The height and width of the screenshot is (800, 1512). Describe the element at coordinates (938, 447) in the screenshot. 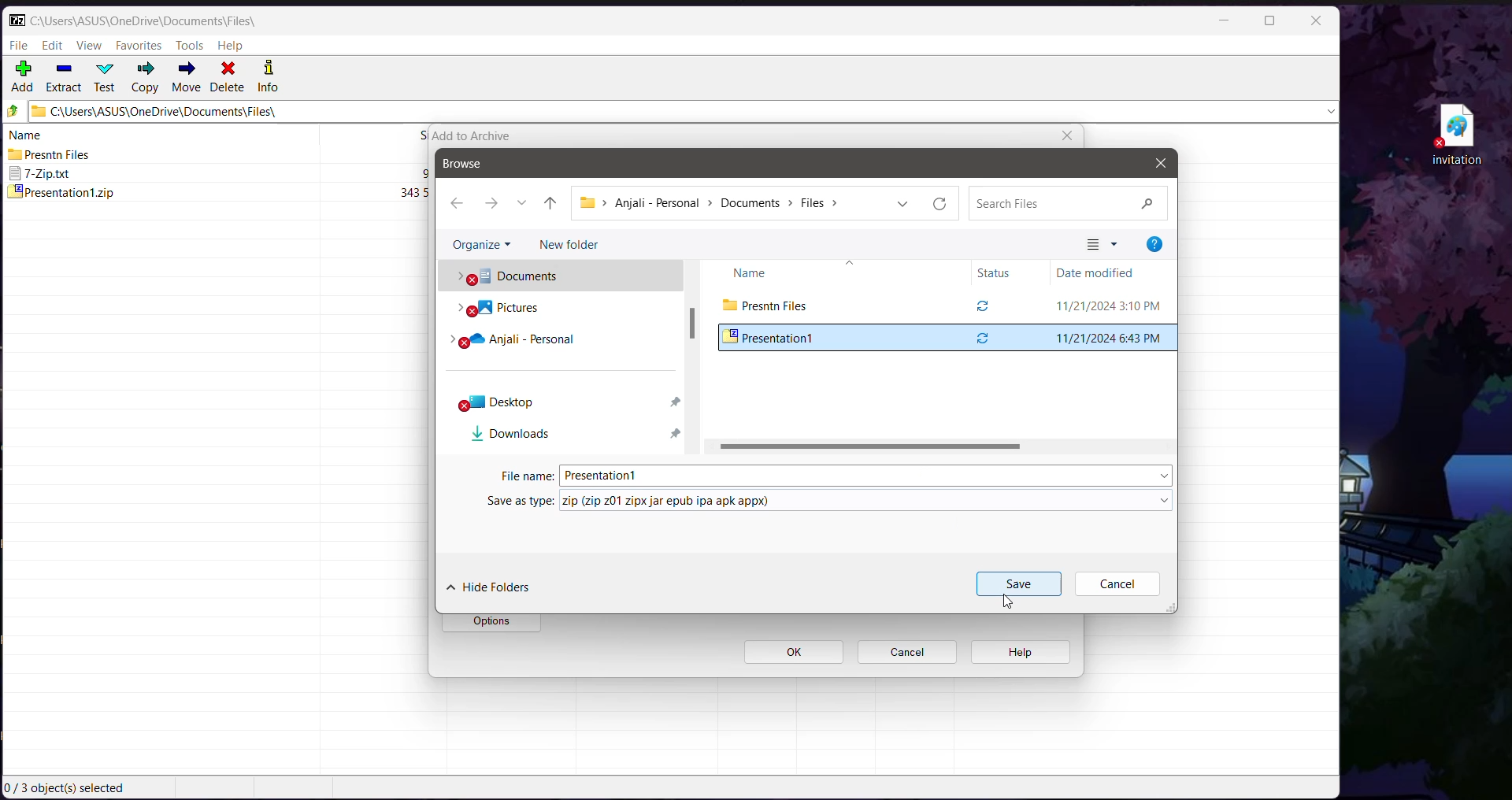

I see `Horizontal Scroll Bar` at that location.